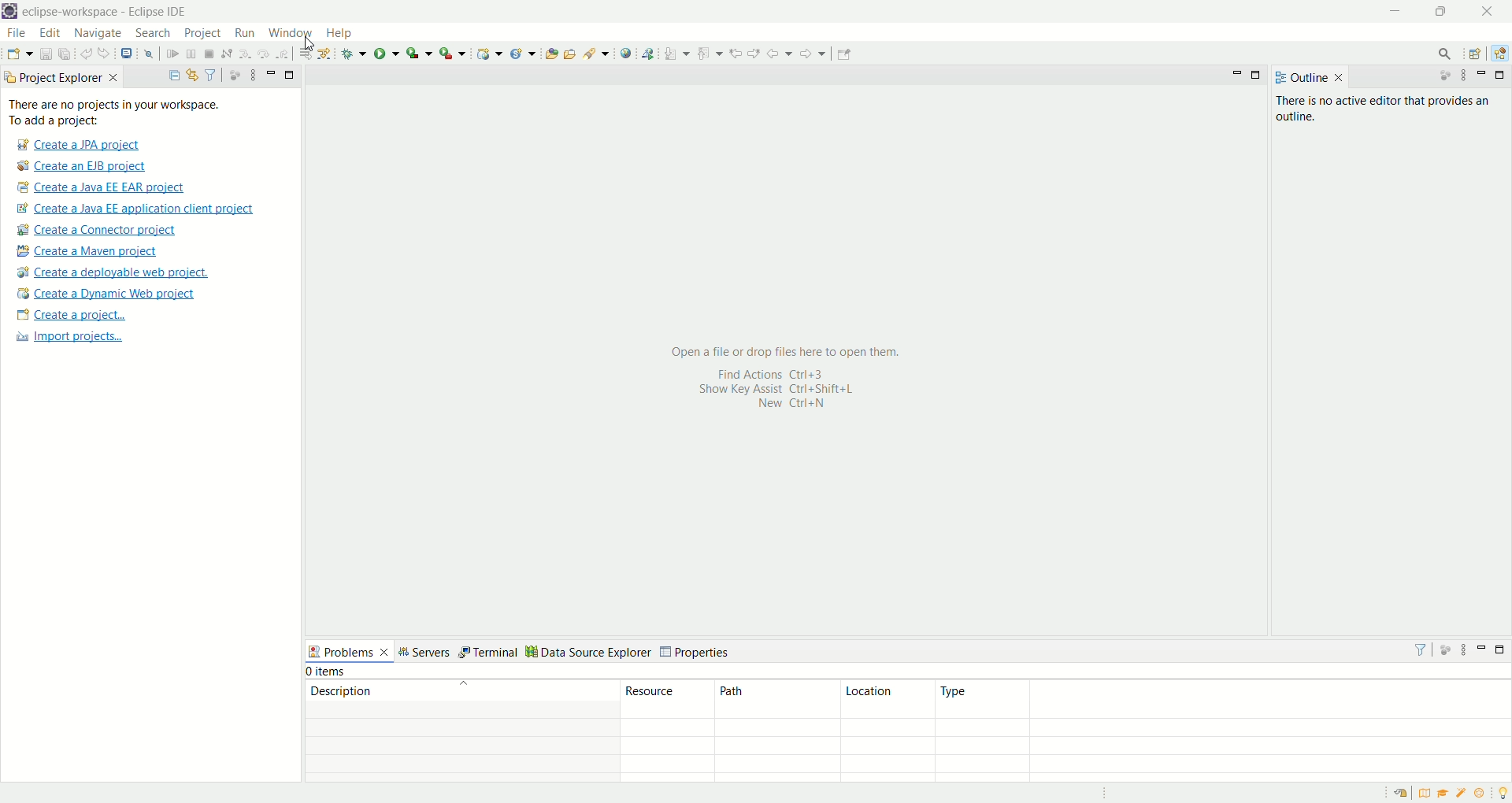  I want to click on servers, so click(424, 651).